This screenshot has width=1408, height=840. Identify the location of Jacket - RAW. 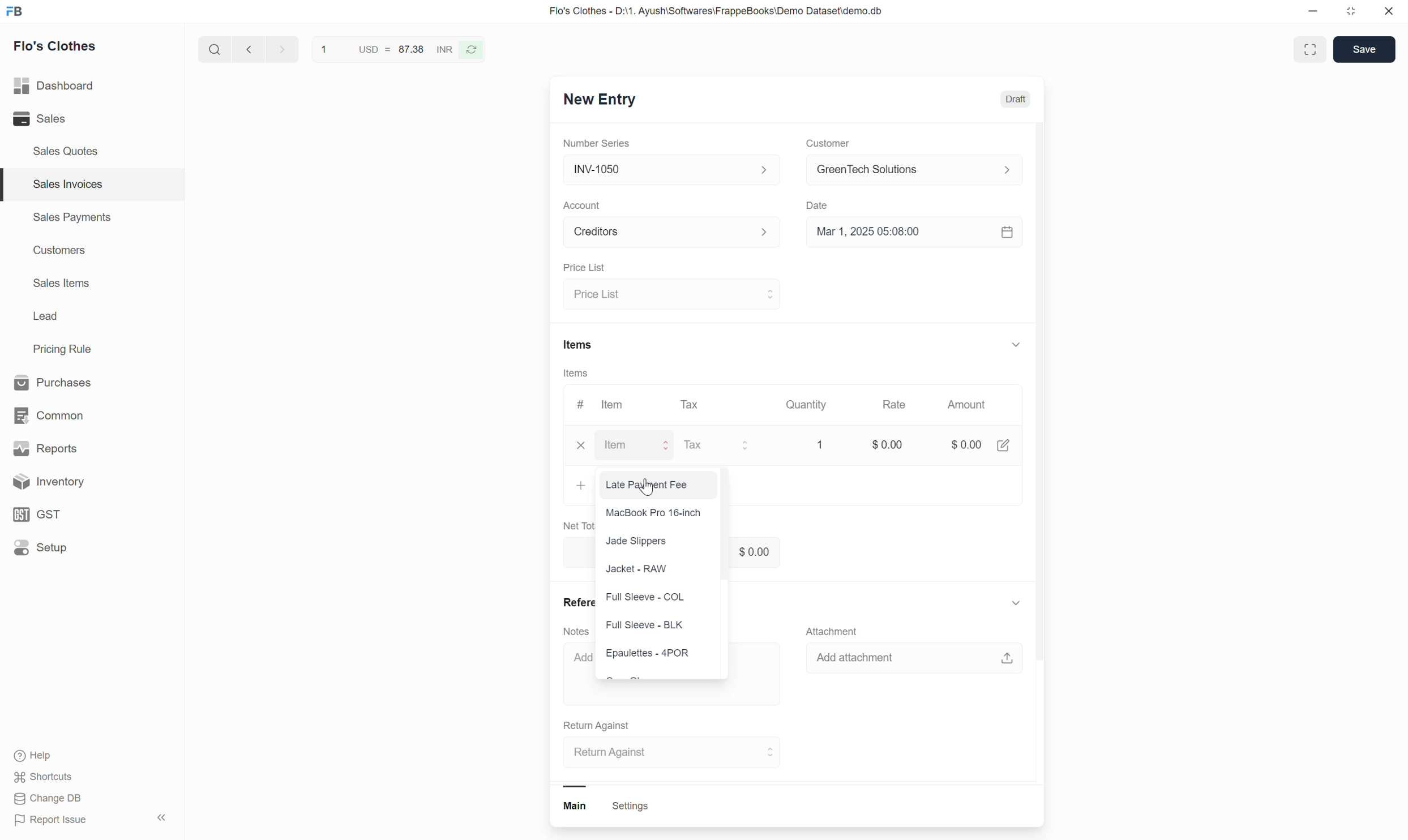
(625, 568).